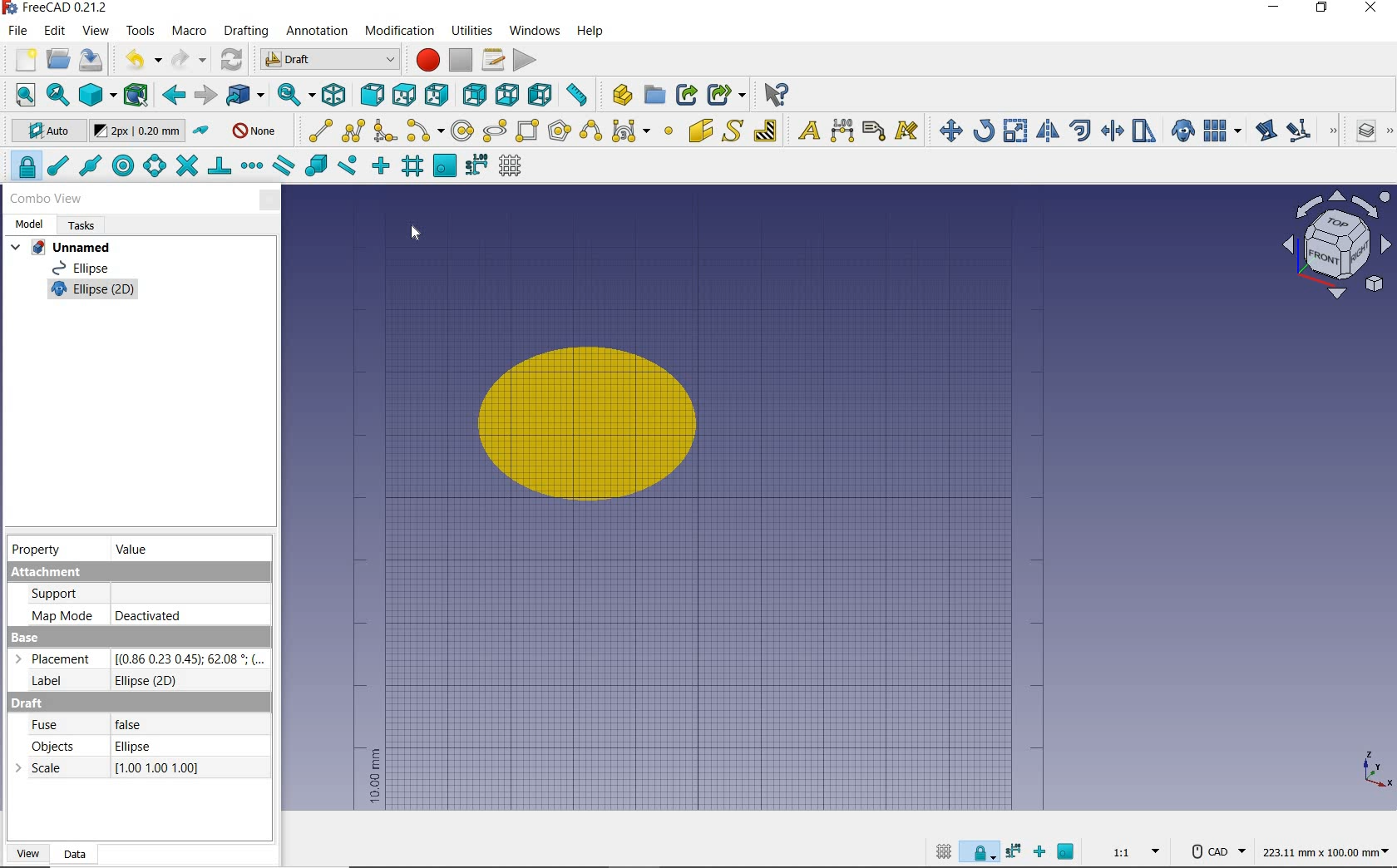  What do you see at coordinates (539, 96) in the screenshot?
I see `left` at bounding box center [539, 96].